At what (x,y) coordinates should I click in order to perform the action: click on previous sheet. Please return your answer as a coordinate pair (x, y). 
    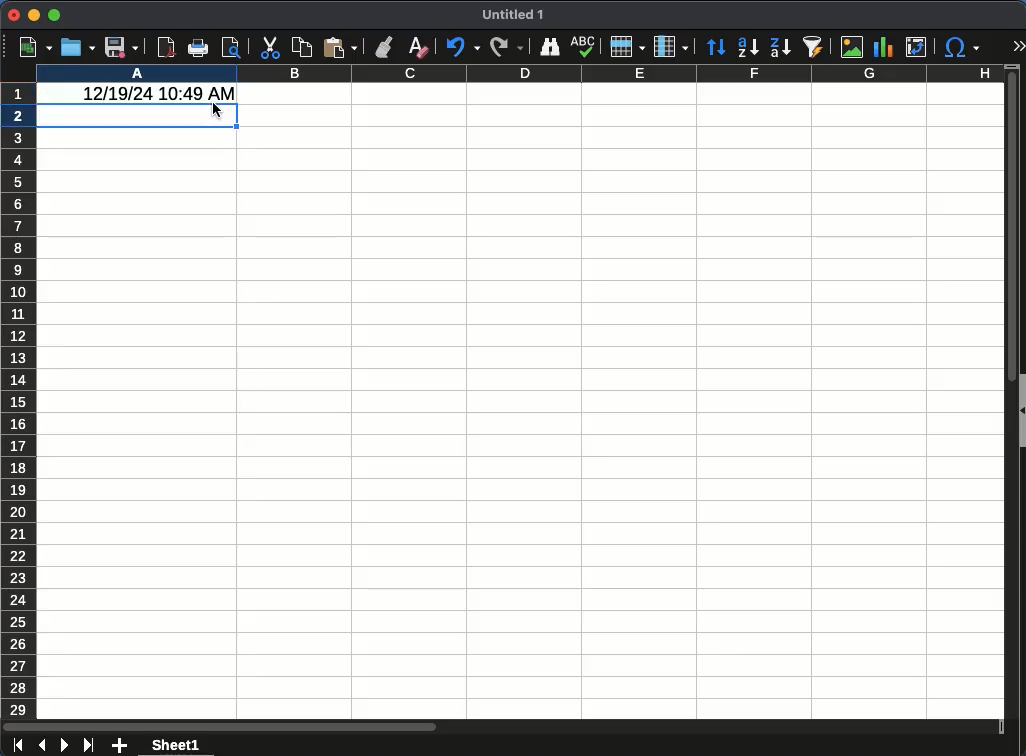
    Looking at the image, I should click on (41, 746).